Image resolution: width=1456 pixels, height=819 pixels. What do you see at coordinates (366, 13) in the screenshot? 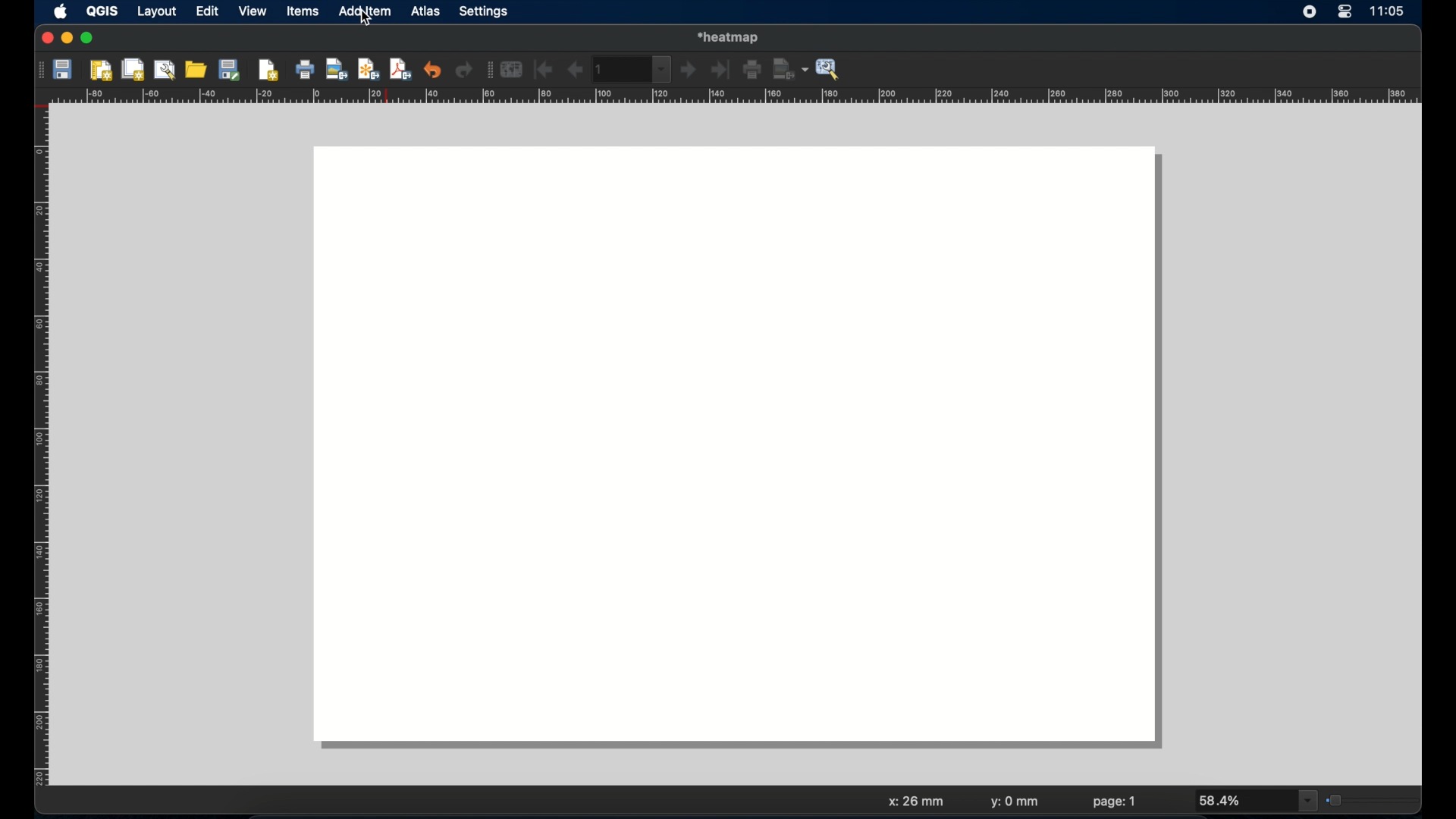
I see `dd item` at bounding box center [366, 13].